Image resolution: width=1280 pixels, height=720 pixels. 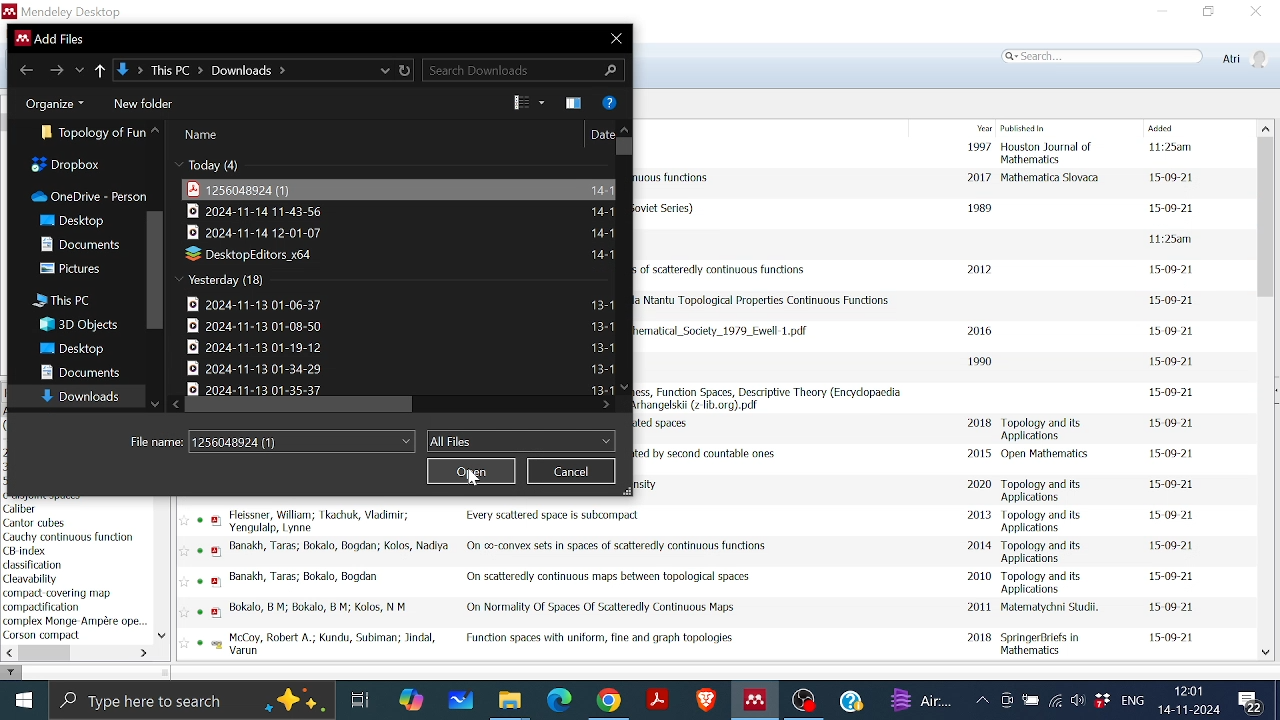 What do you see at coordinates (600, 135) in the screenshot?
I see `Date` at bounding box center [600, 135].